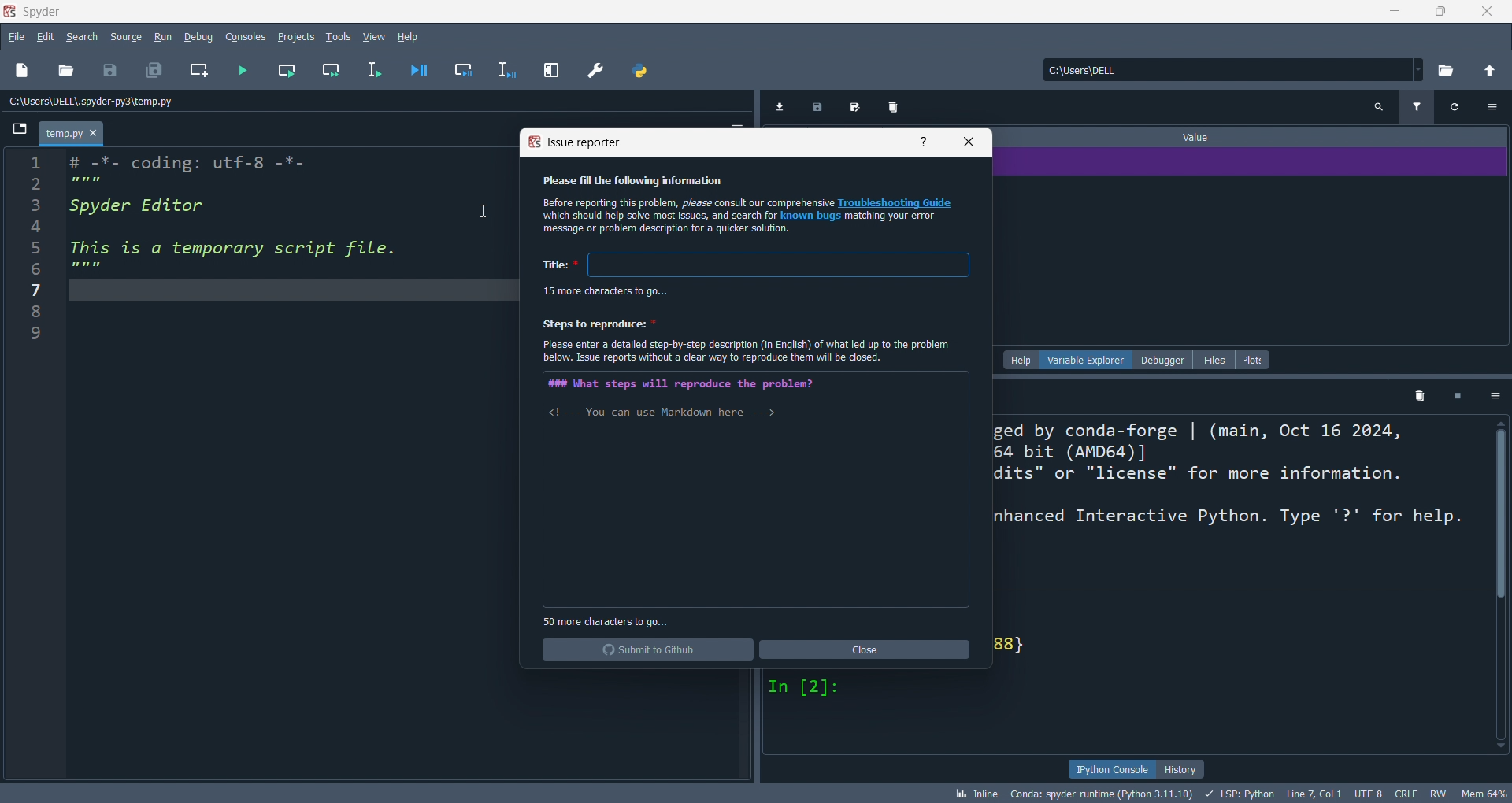 The width and height of the screenshot is (1512, 803). Describe the element at coordinates (1454, 107) in the screenshot. I see `Refresh` at that location.